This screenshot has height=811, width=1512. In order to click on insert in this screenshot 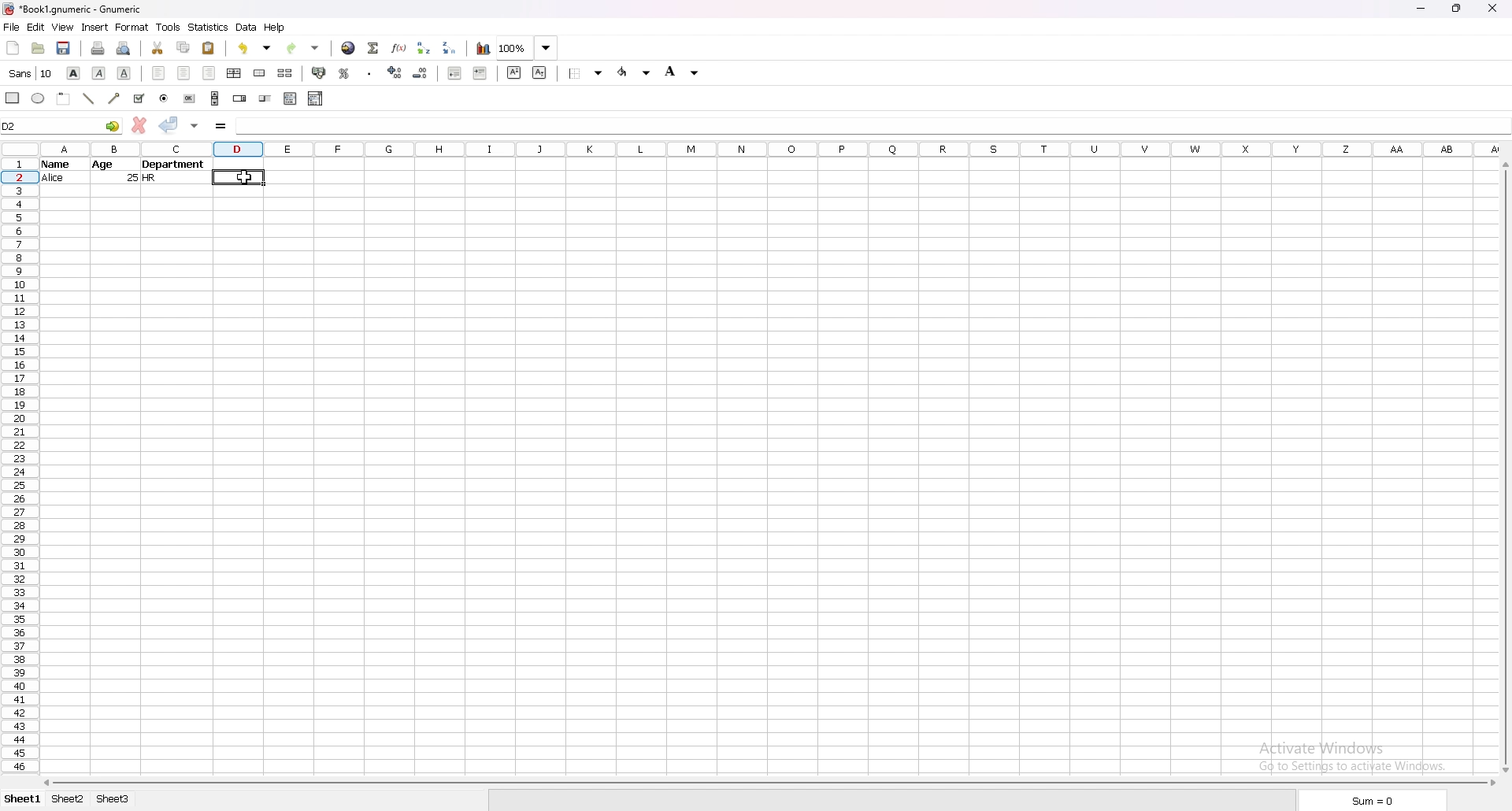, I will do `click(94, 28)`.